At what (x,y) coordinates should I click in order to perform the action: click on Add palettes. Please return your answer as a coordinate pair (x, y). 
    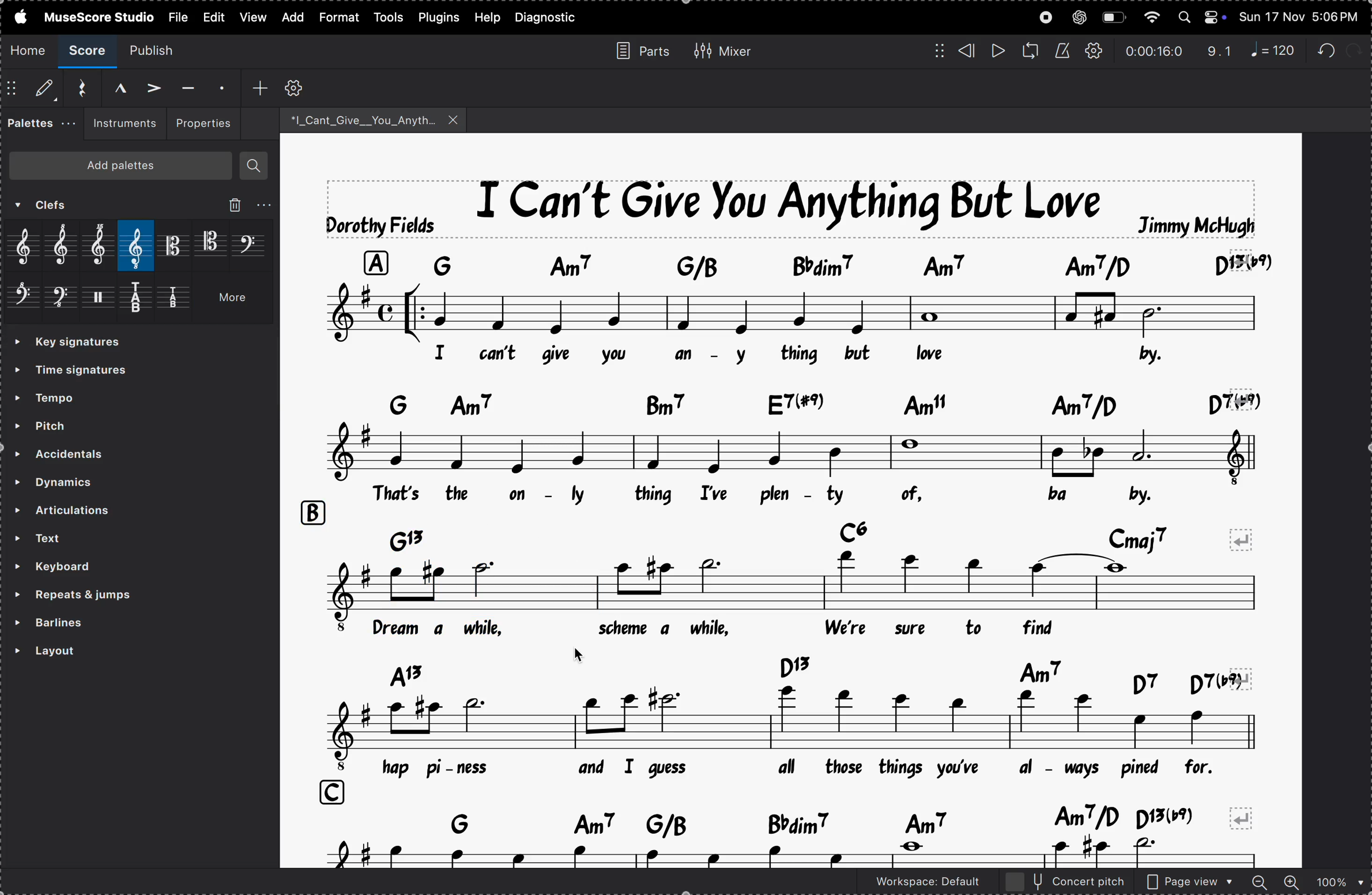
    Looking at the image, I should click on (126, 168).